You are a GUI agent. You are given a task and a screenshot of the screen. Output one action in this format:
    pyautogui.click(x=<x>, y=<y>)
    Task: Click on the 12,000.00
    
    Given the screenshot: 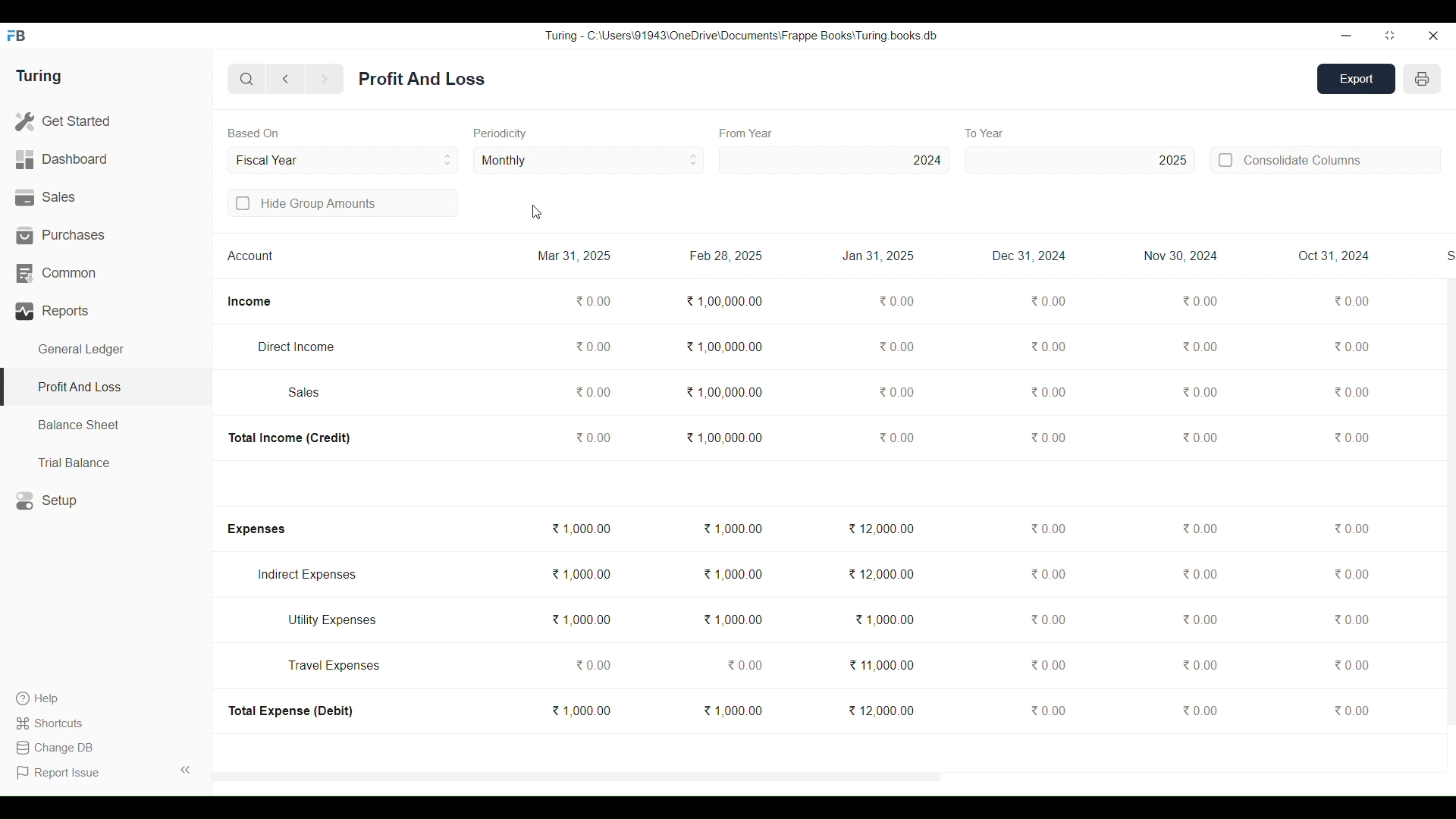 What is the action you would take?
    pyautogui.click(x=882, y=710)
    